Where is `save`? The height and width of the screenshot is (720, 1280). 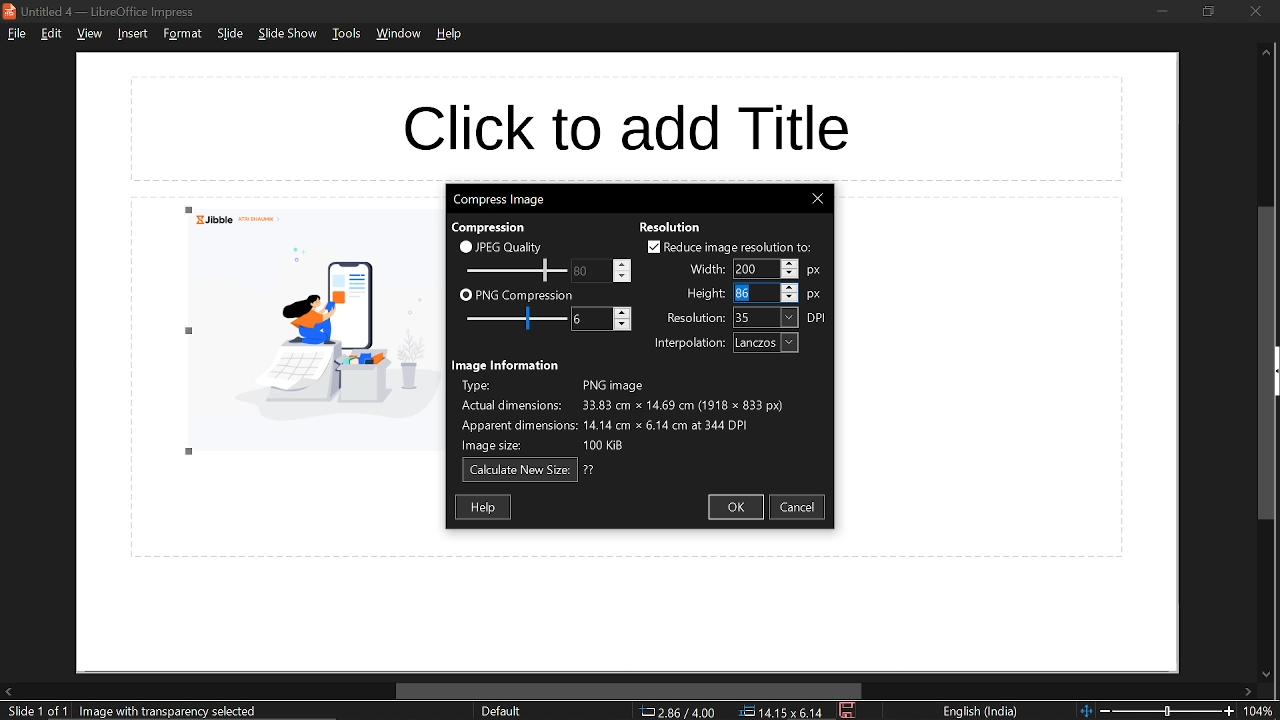
save is located at coordinates (849, 711).